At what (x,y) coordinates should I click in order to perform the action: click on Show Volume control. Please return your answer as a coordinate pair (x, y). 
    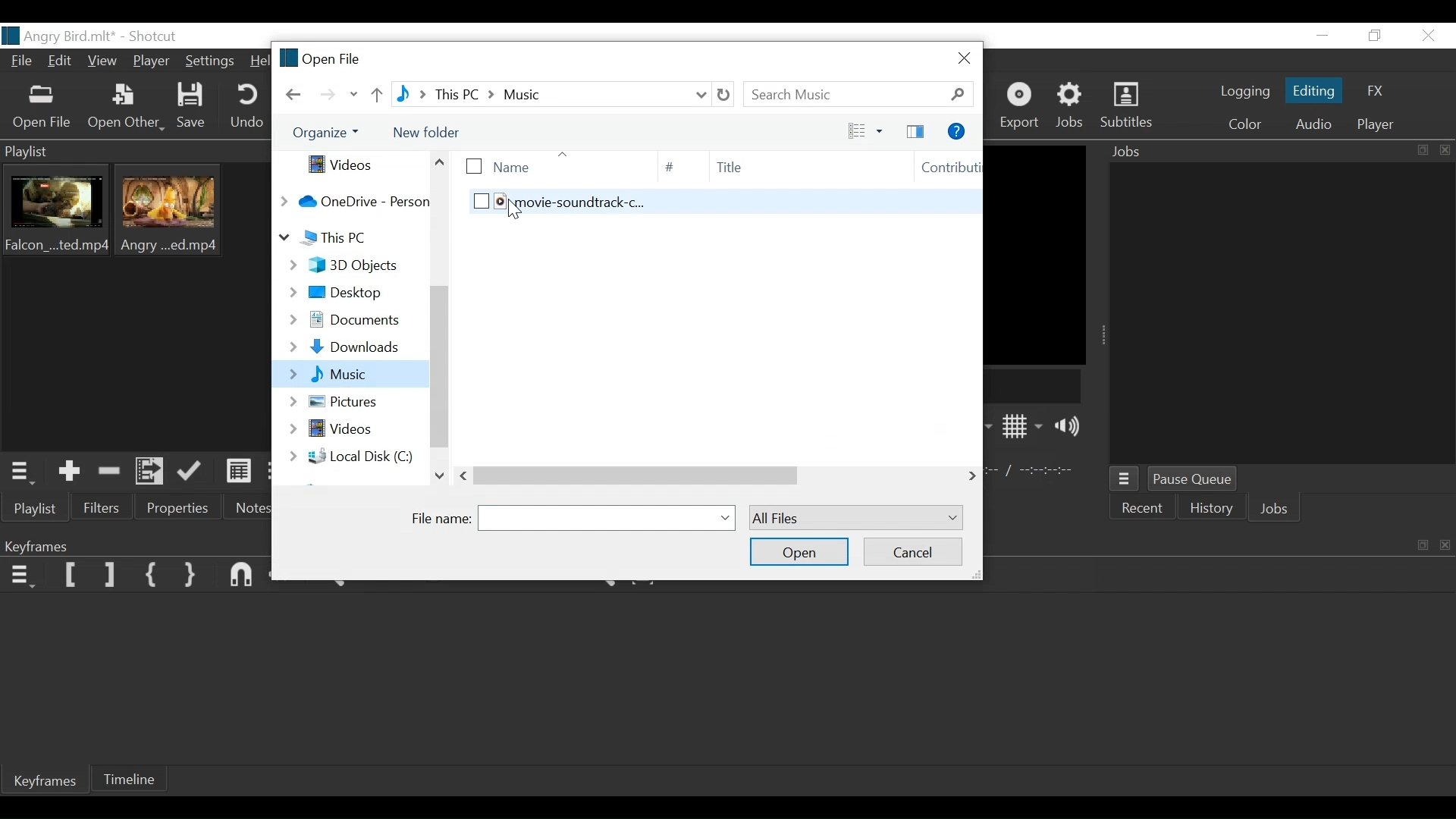
    Looking at the image, I should click on (1072, 428).